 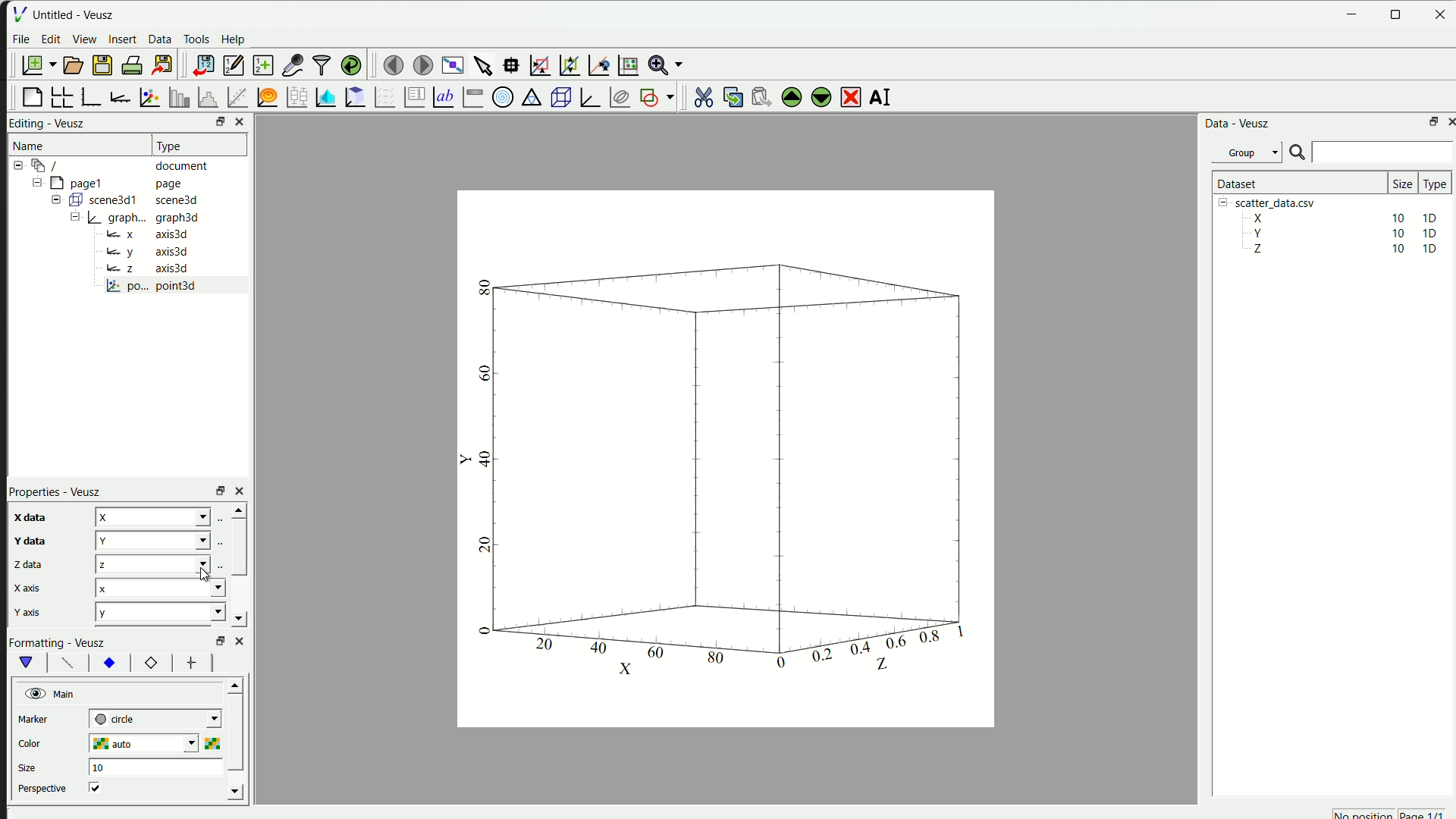 I want to click on Name, so click(x=30, y=143).